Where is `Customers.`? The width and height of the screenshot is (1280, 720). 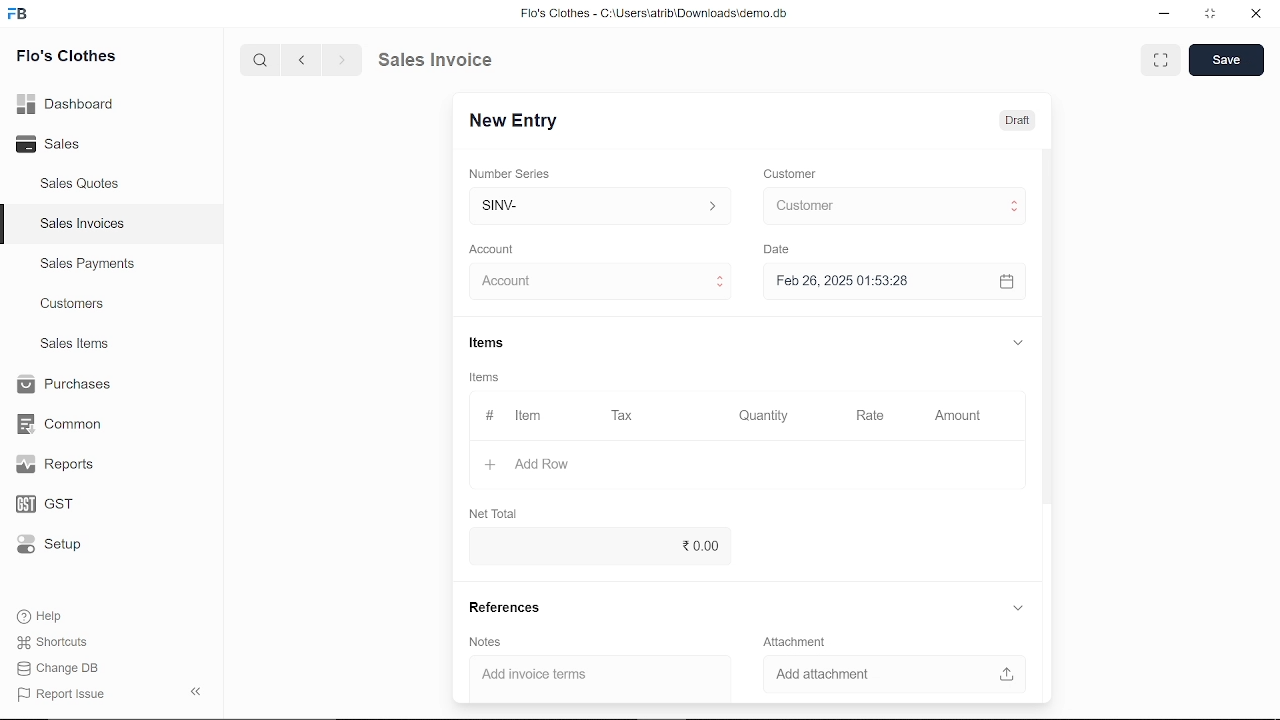
Customers. is located at coordinates (73, 304).